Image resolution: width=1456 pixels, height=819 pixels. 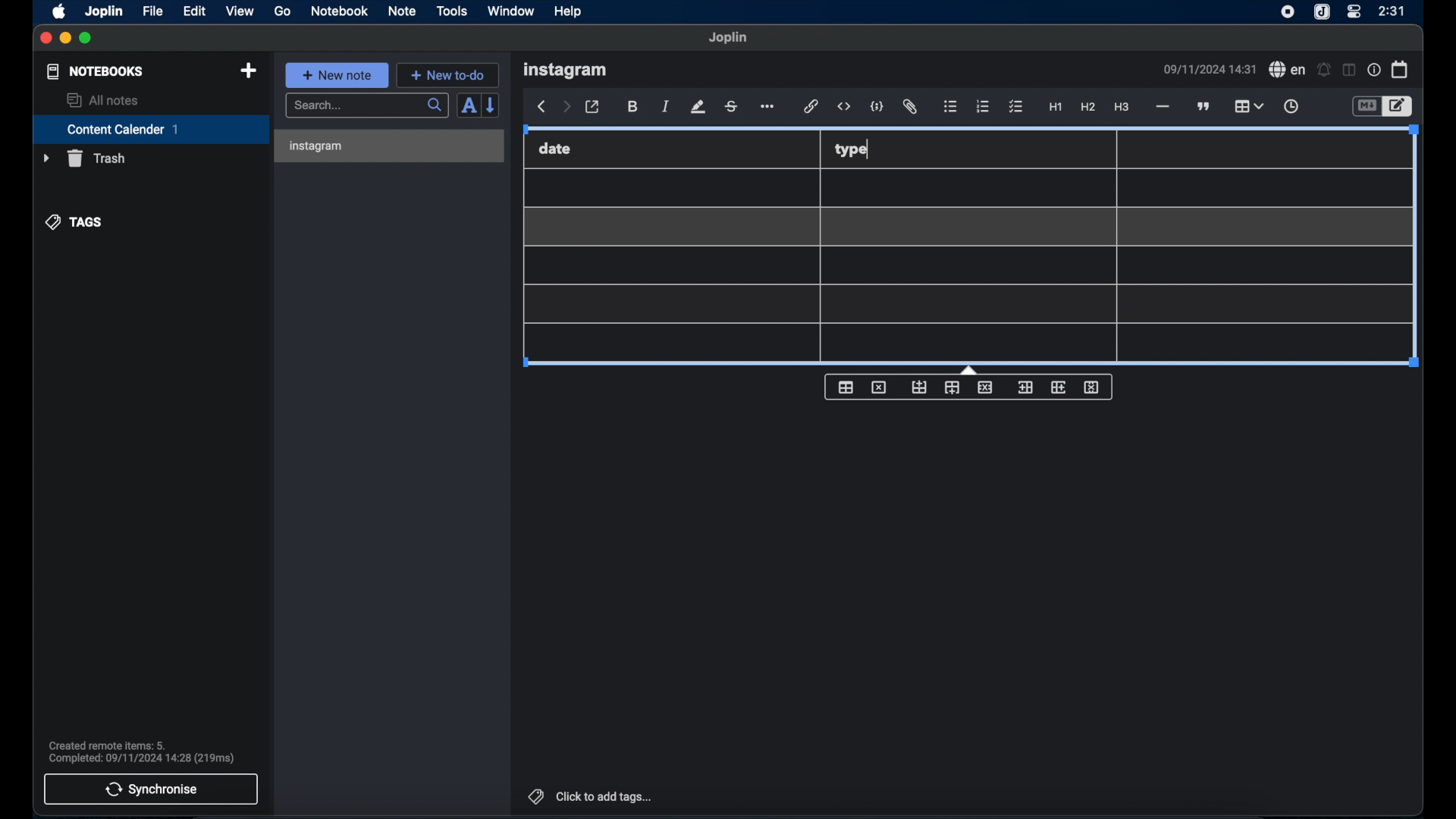 What do you see at coordinates (368, 106) in the screenshot?
I see `search bar` at bounding box center [368, 106].